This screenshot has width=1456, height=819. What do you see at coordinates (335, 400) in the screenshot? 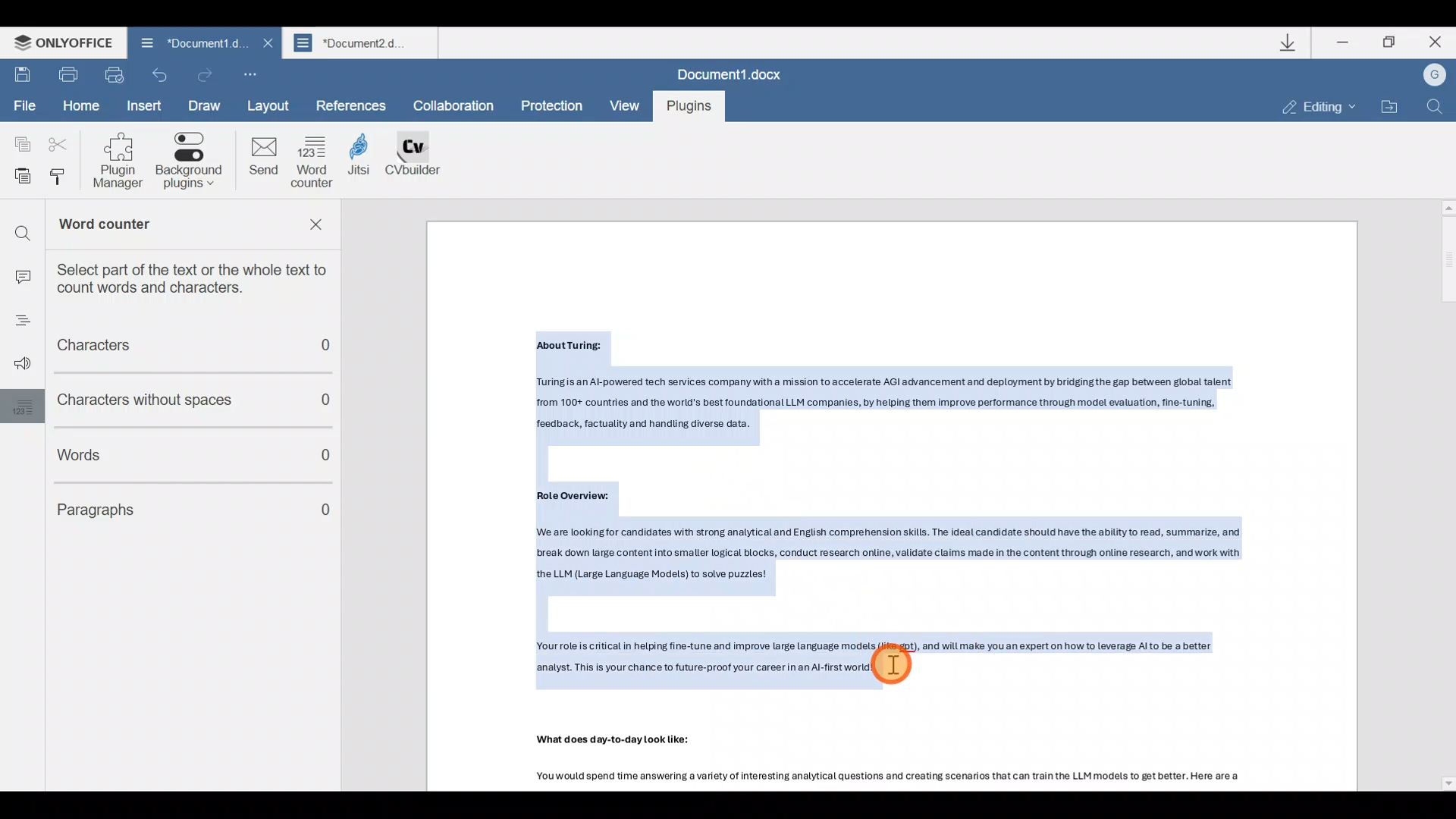
I see `0` at bounding box center [335, 400].